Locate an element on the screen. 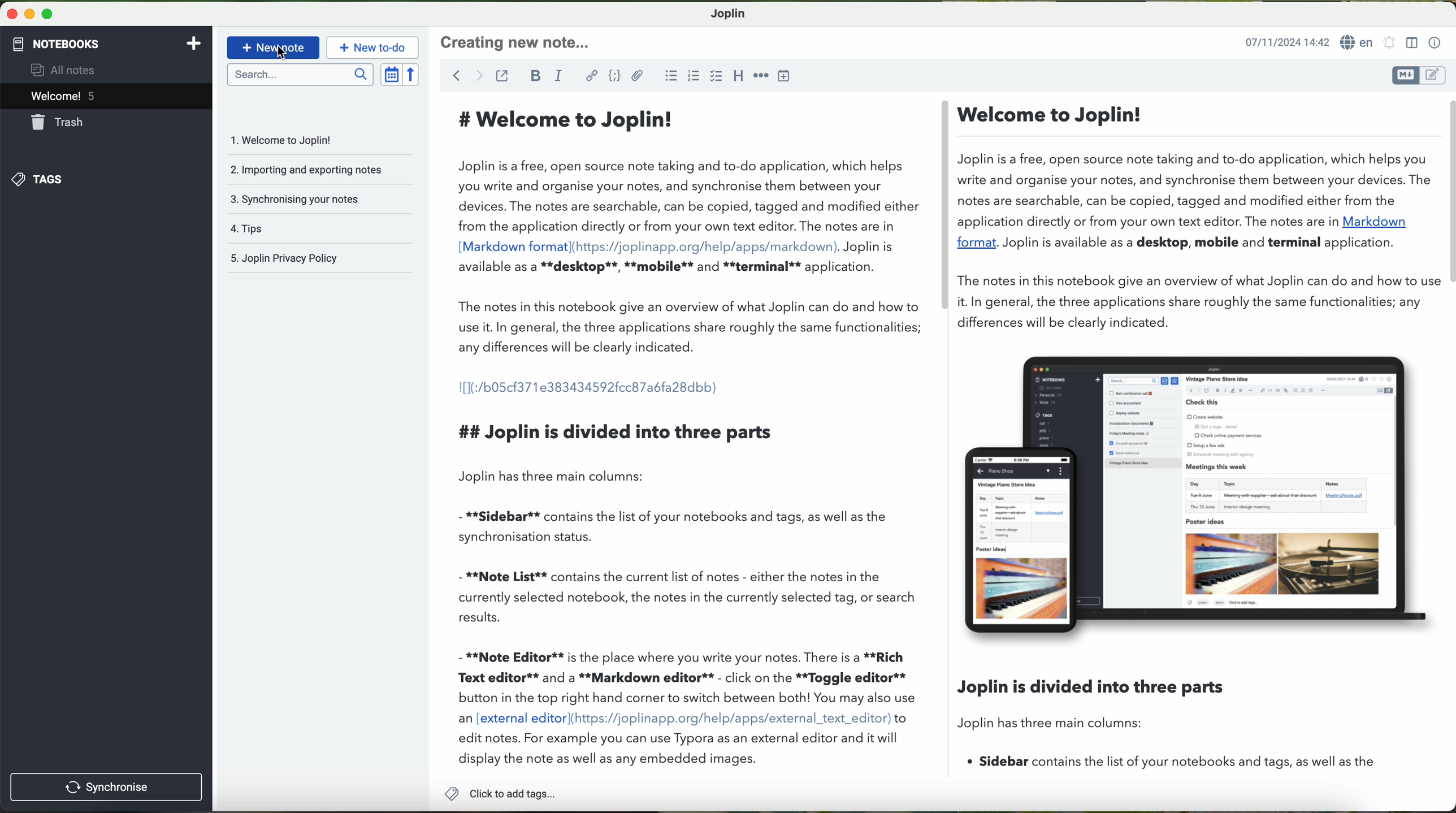 The width and height of the screenshot is (1456, 813). italic is located at coordinates (561, 76).